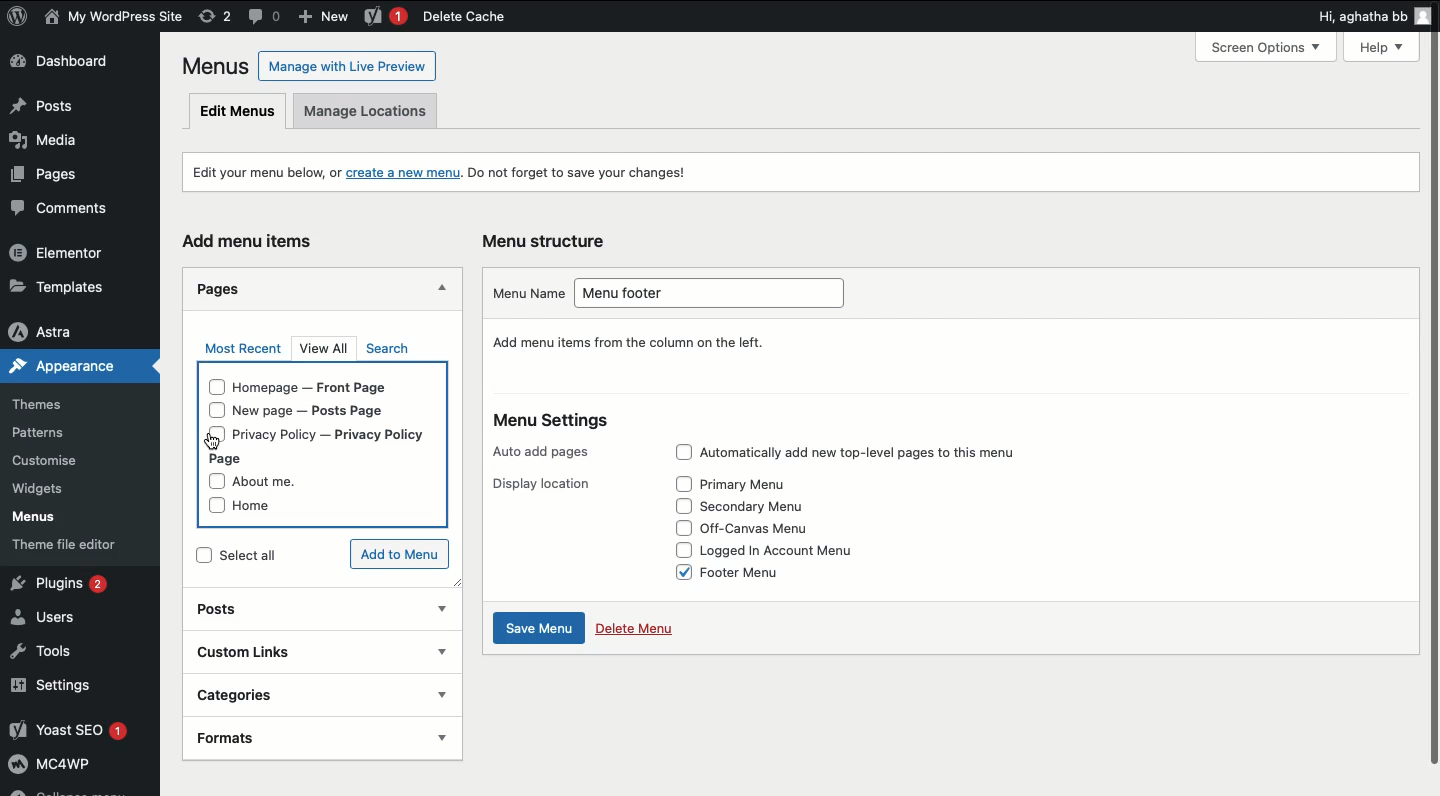  What do you see at coordinates (214, 387) in the screenshot?
I see `checkbox` at bounding box center [214, 387].